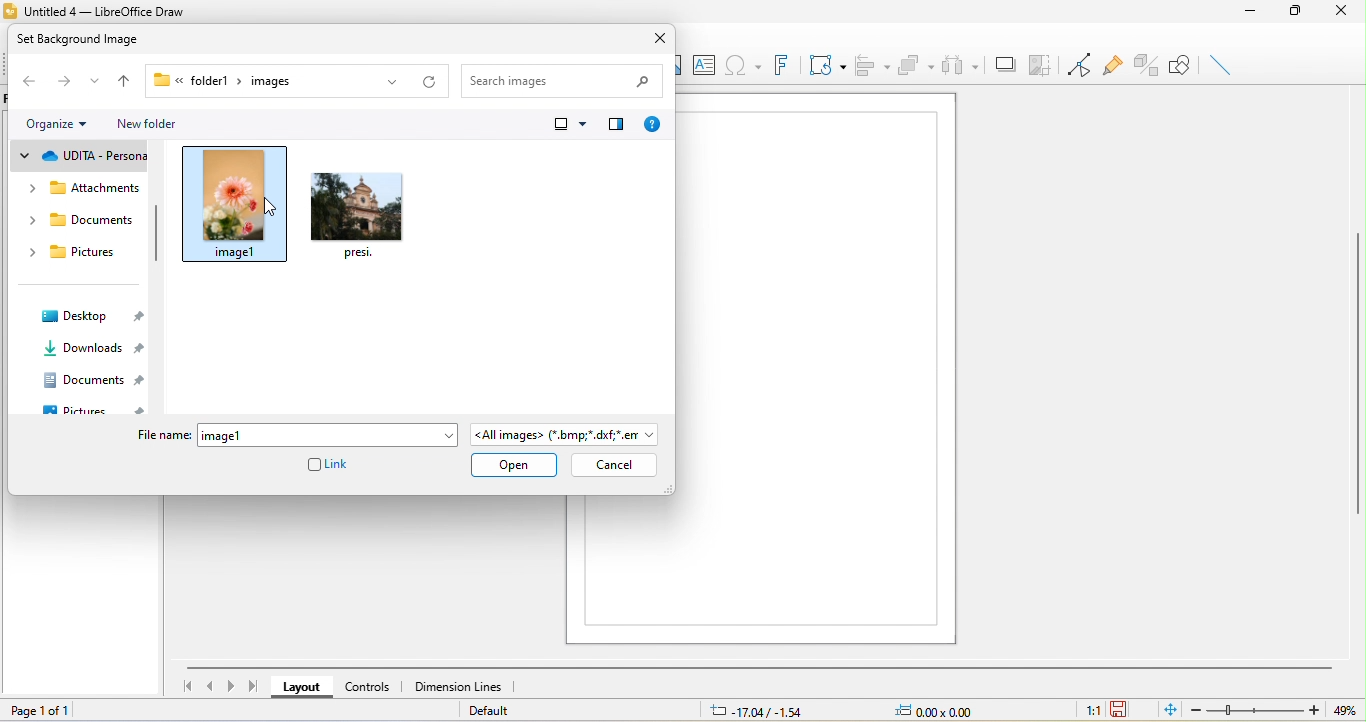 This screenshot has height=722, width=1366. Describe the element at coordinates (81, 222) in the screenshot. I see `documents` at that location.